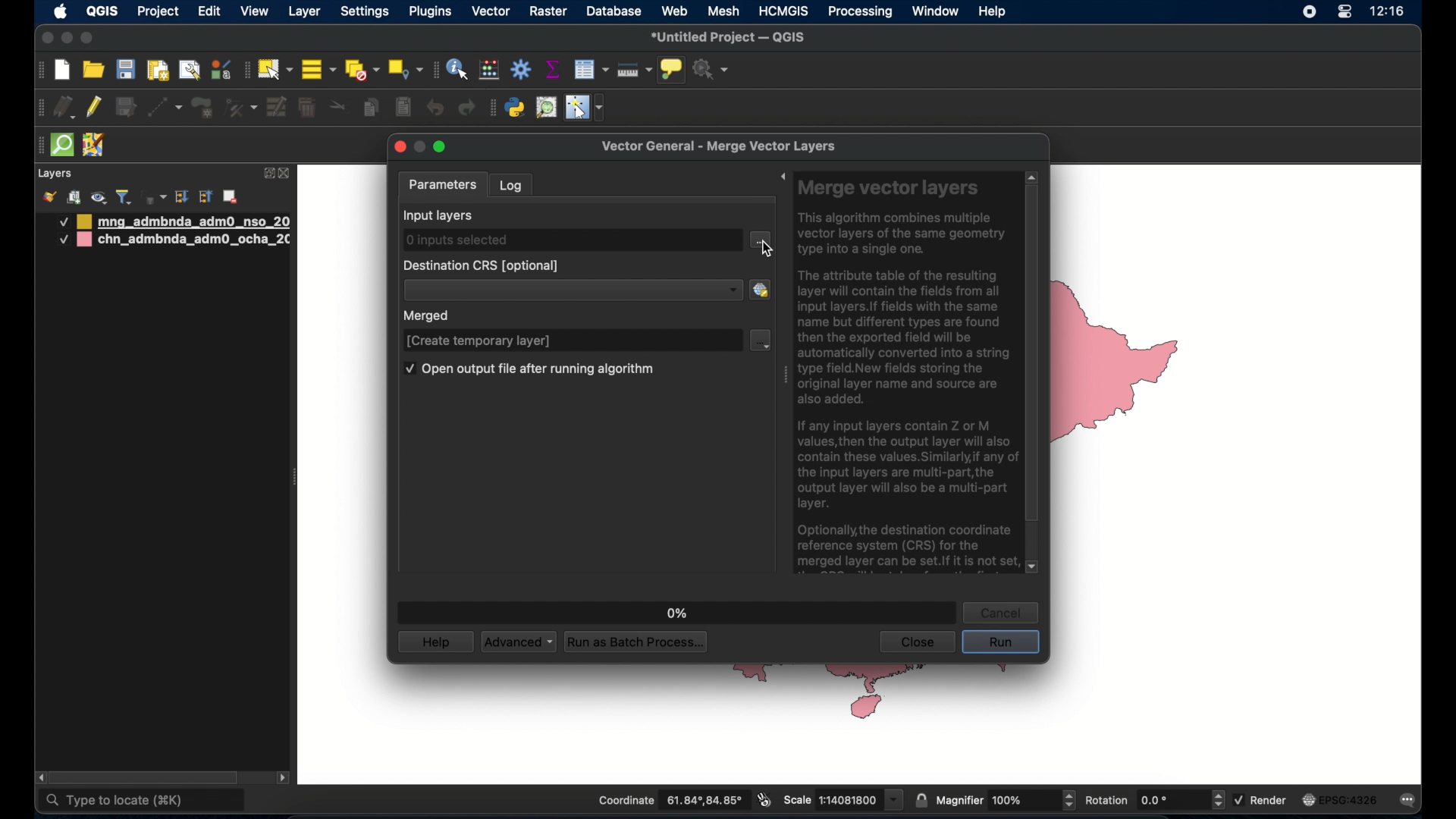 This screenshot has height=819, width=1456. Describe the element at coordinates (674, 609) in the screenshot. I see `0%` at that location.